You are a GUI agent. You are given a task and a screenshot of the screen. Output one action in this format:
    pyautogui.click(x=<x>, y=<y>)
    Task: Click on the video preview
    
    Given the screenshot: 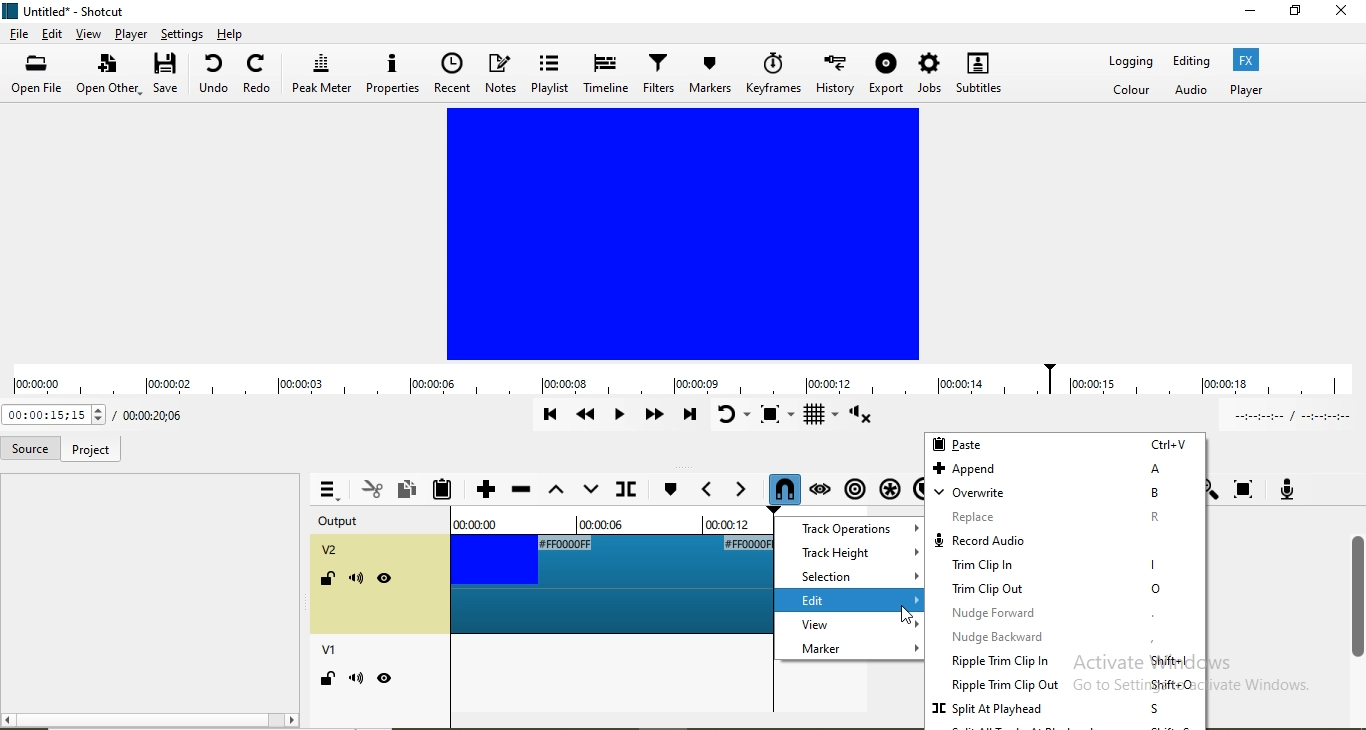 What is the action you would take?
    pyautogui.click(x=685, y=234)
    